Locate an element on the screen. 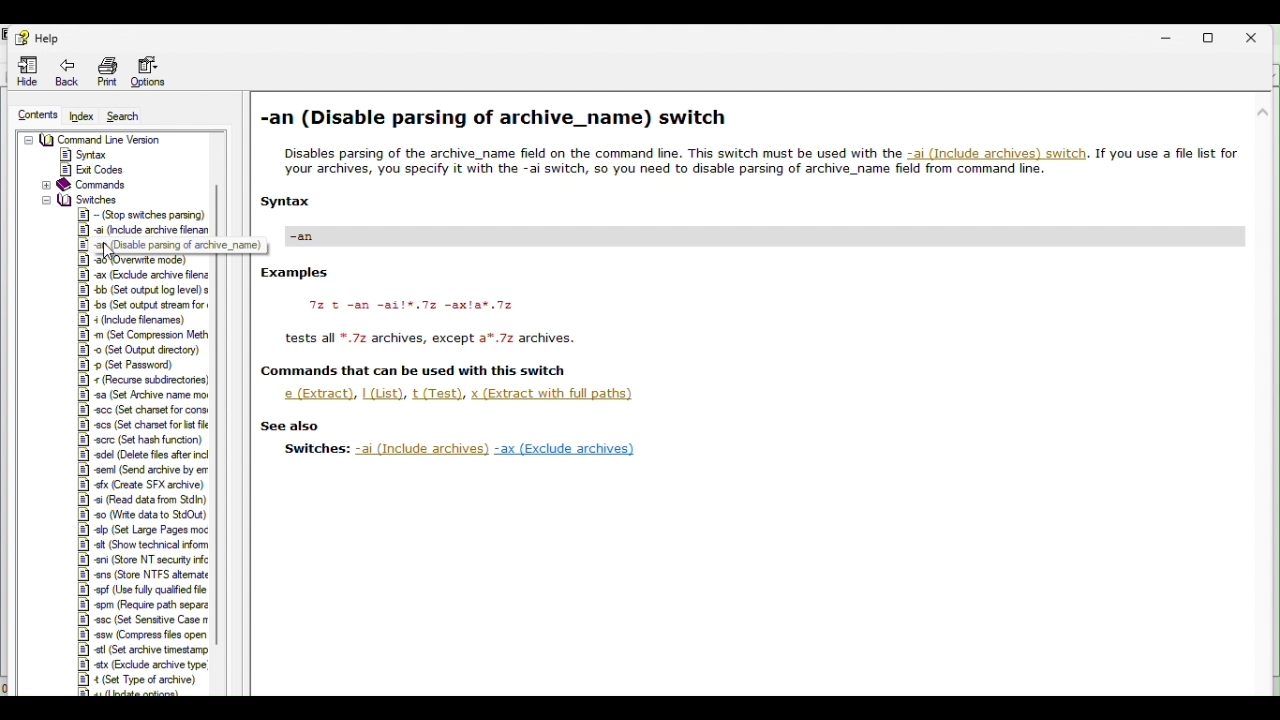 The height and width of the screenshot is (720, 1280). Minimise is located at coordinates (1174, 38).